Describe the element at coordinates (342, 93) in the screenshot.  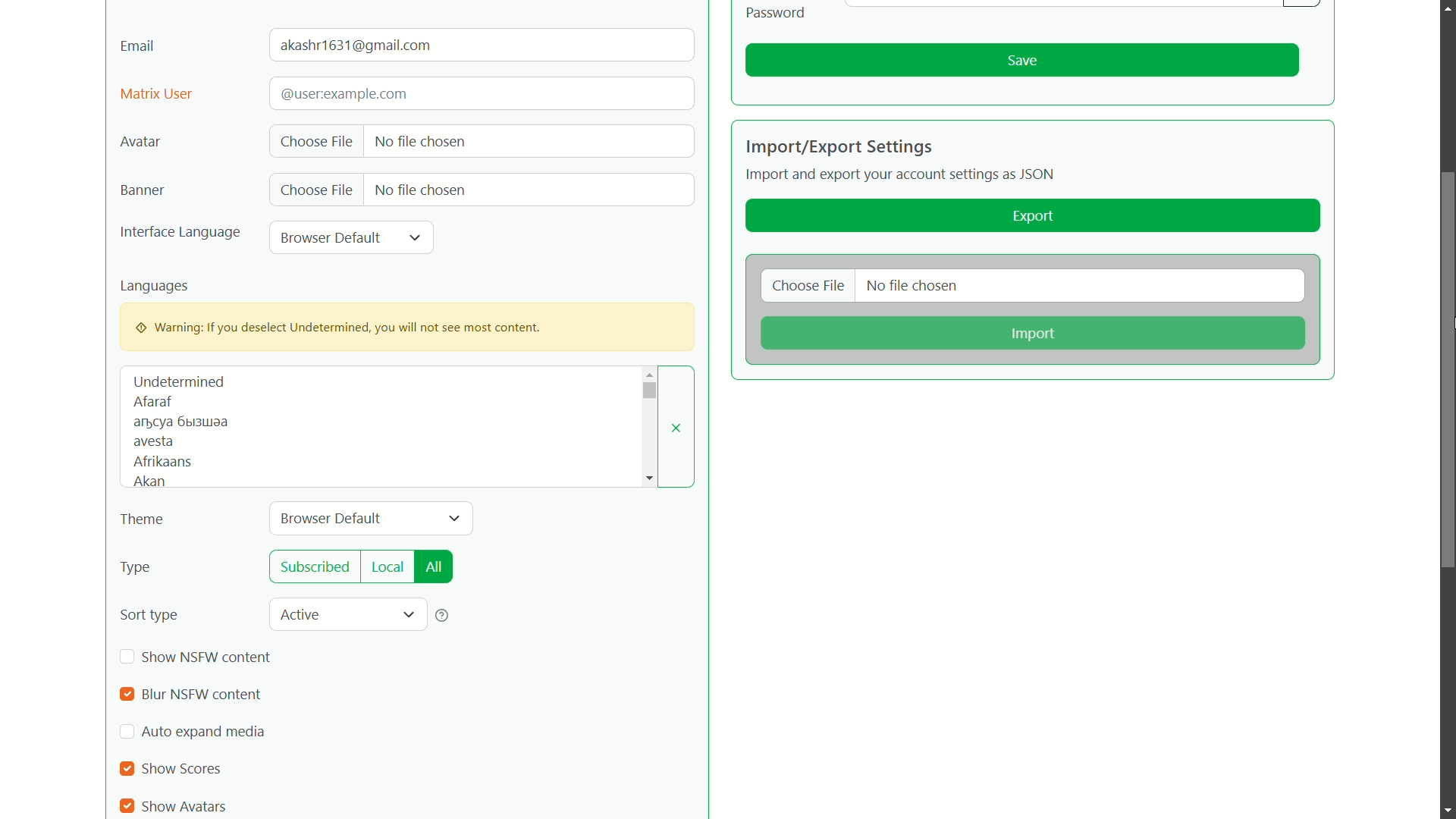
I see `text` at that location.